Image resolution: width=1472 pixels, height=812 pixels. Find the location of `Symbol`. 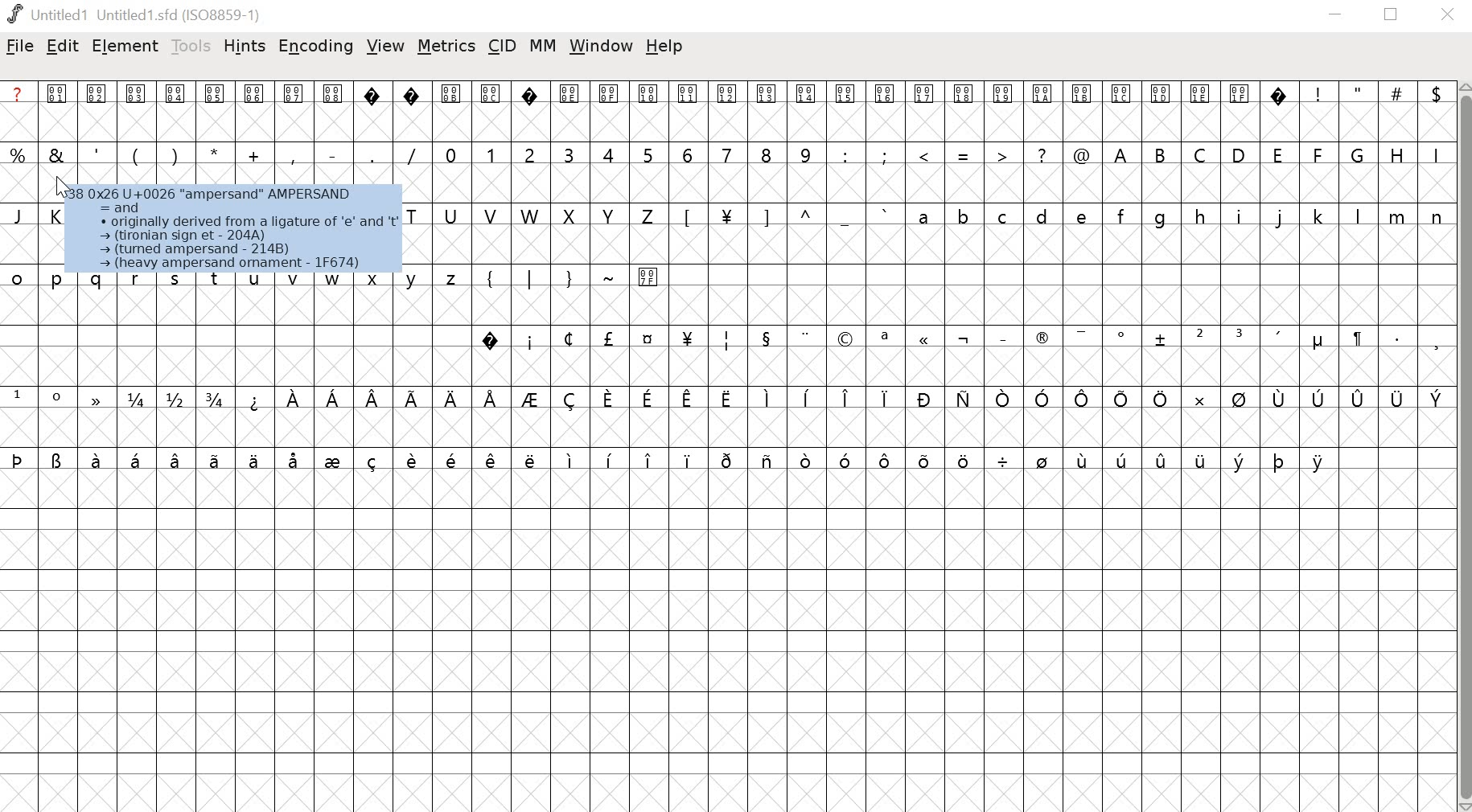

Symbol is located at coordinates (1124, 336).